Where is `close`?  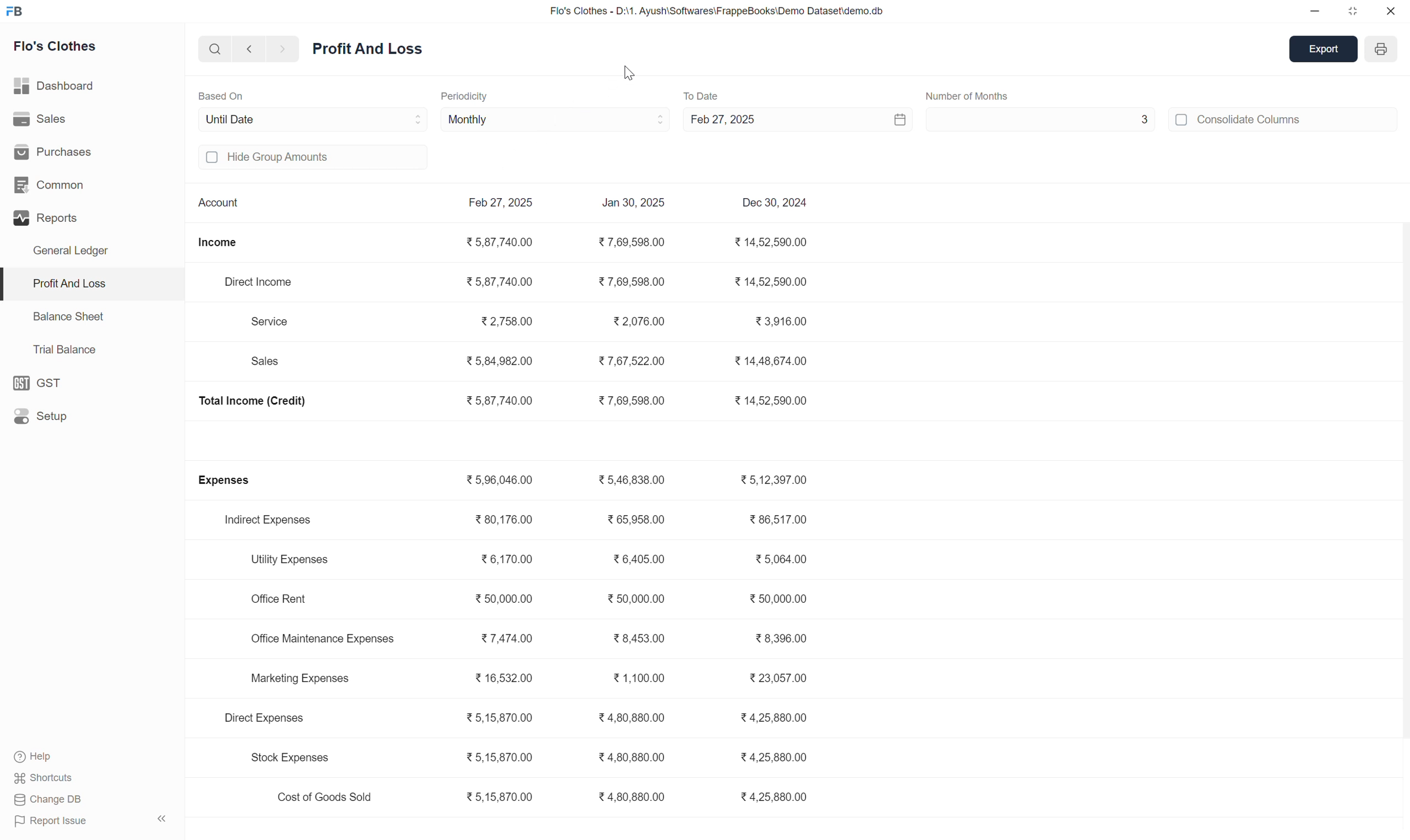
close is located at coordinates (1392, 11).